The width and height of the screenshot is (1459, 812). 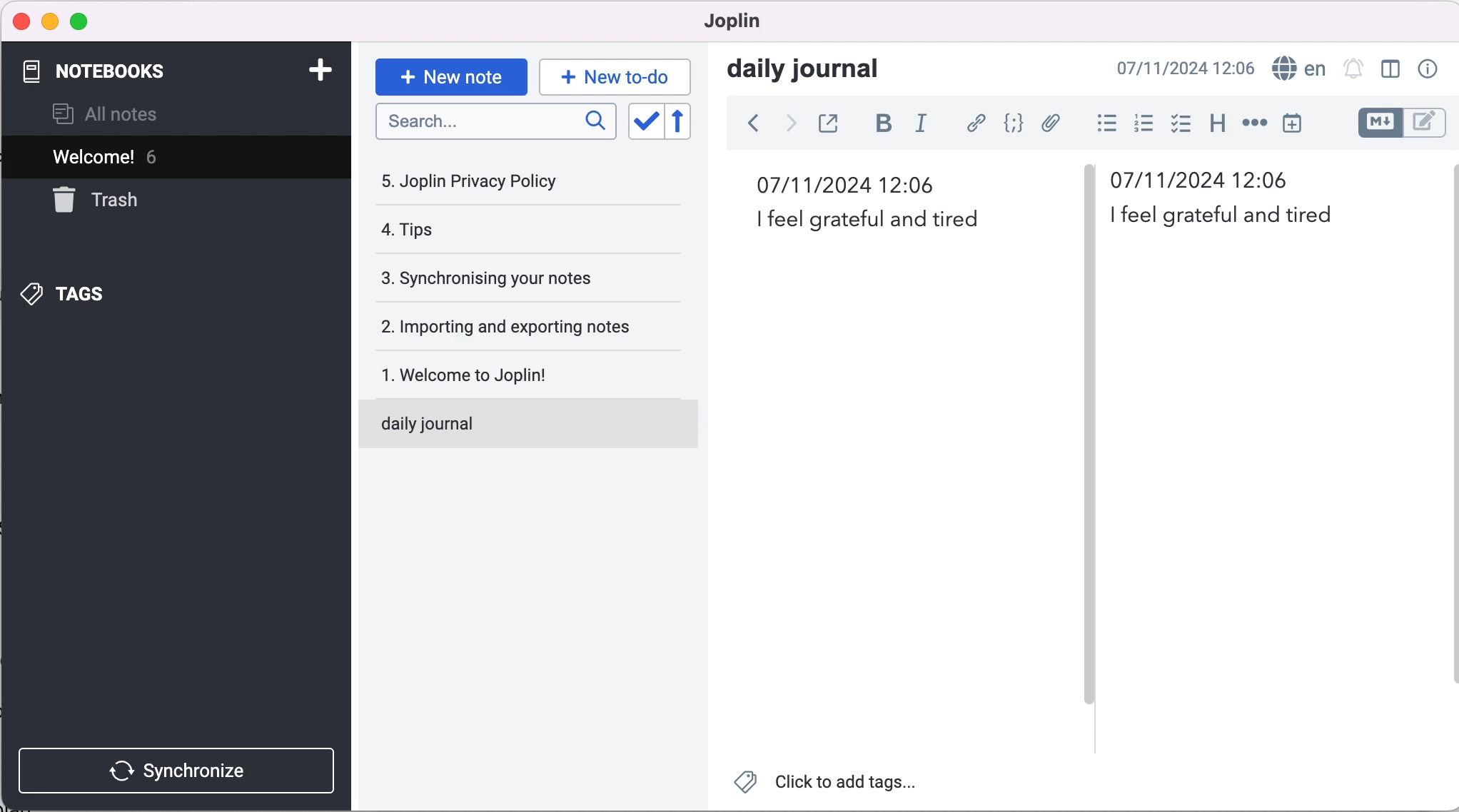 I want to click on time and date, so click(x=857, y=186).